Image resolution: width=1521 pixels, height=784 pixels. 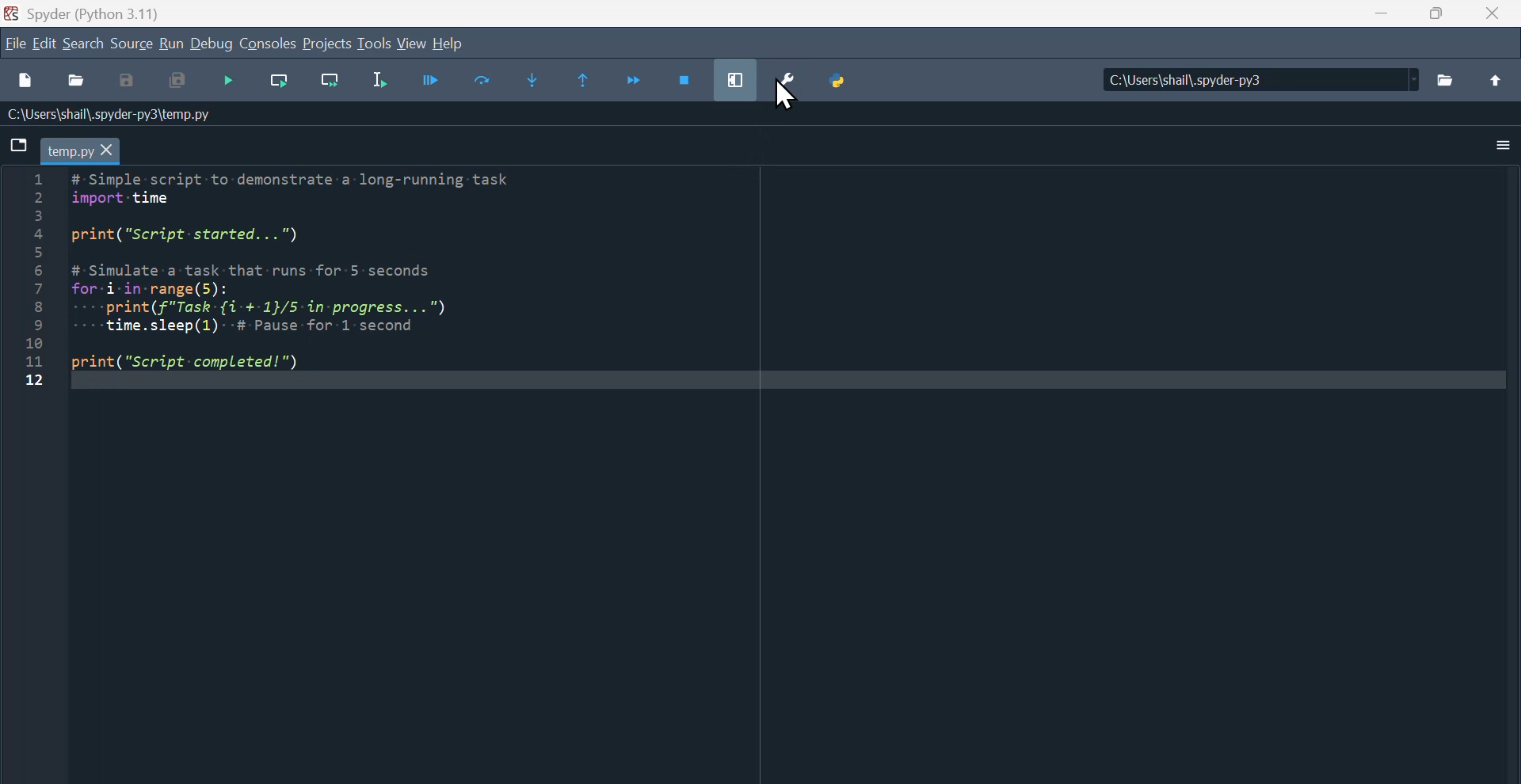 What do you see at coordinates (483, 81) in the screenshot?
I see `Run current cell` at bounding box center [483, 81].